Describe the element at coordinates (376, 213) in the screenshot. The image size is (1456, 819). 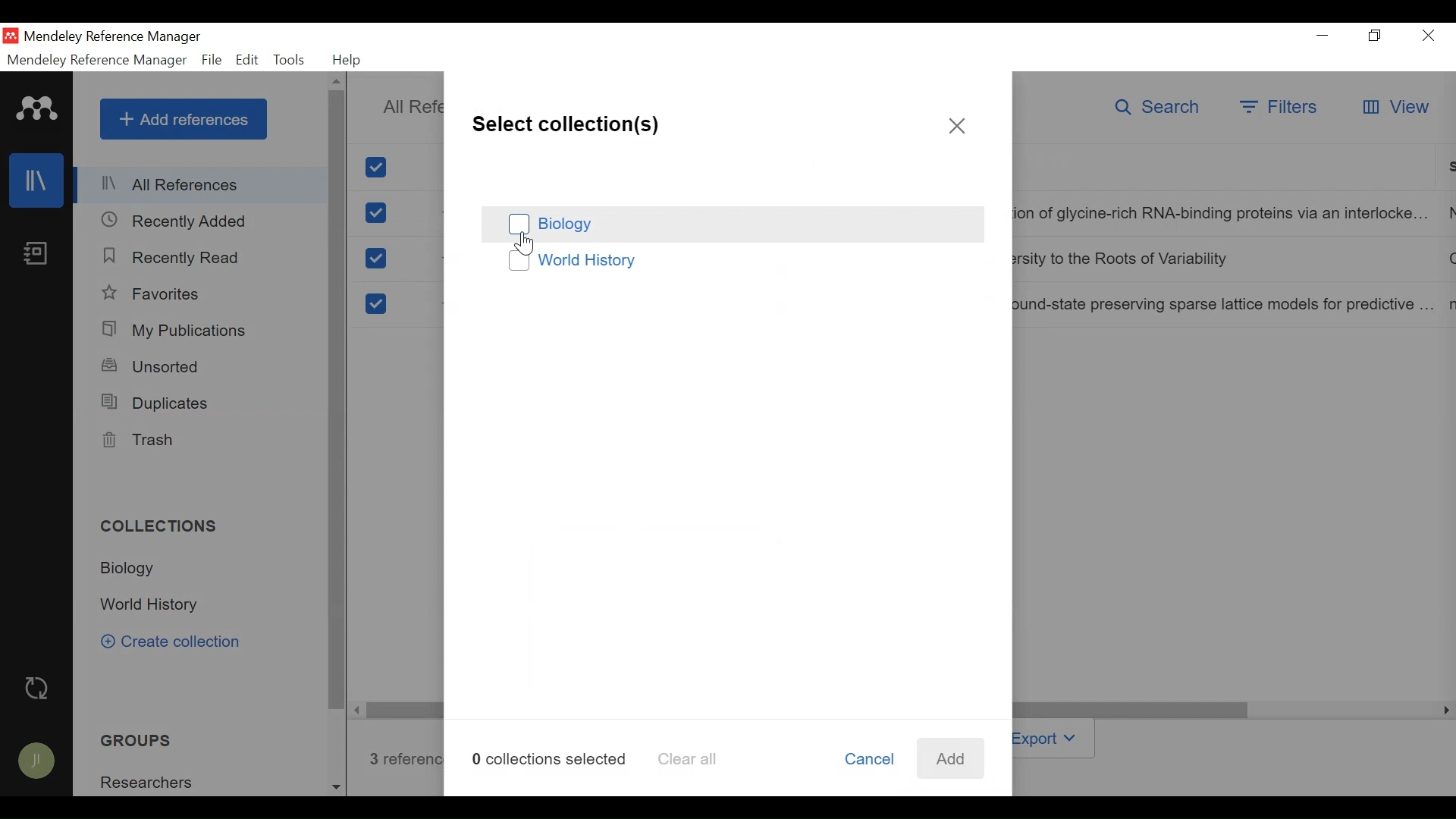
I see `(un)select` at that location.